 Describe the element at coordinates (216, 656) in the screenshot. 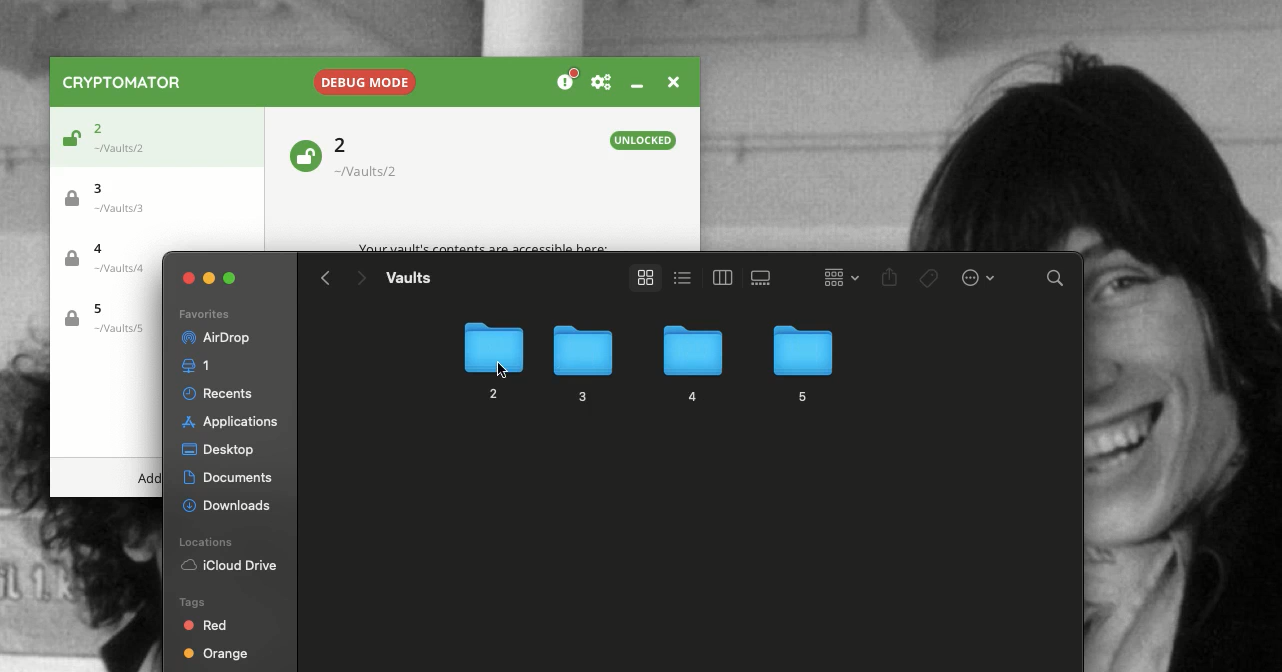

I see `Orange` at that location.